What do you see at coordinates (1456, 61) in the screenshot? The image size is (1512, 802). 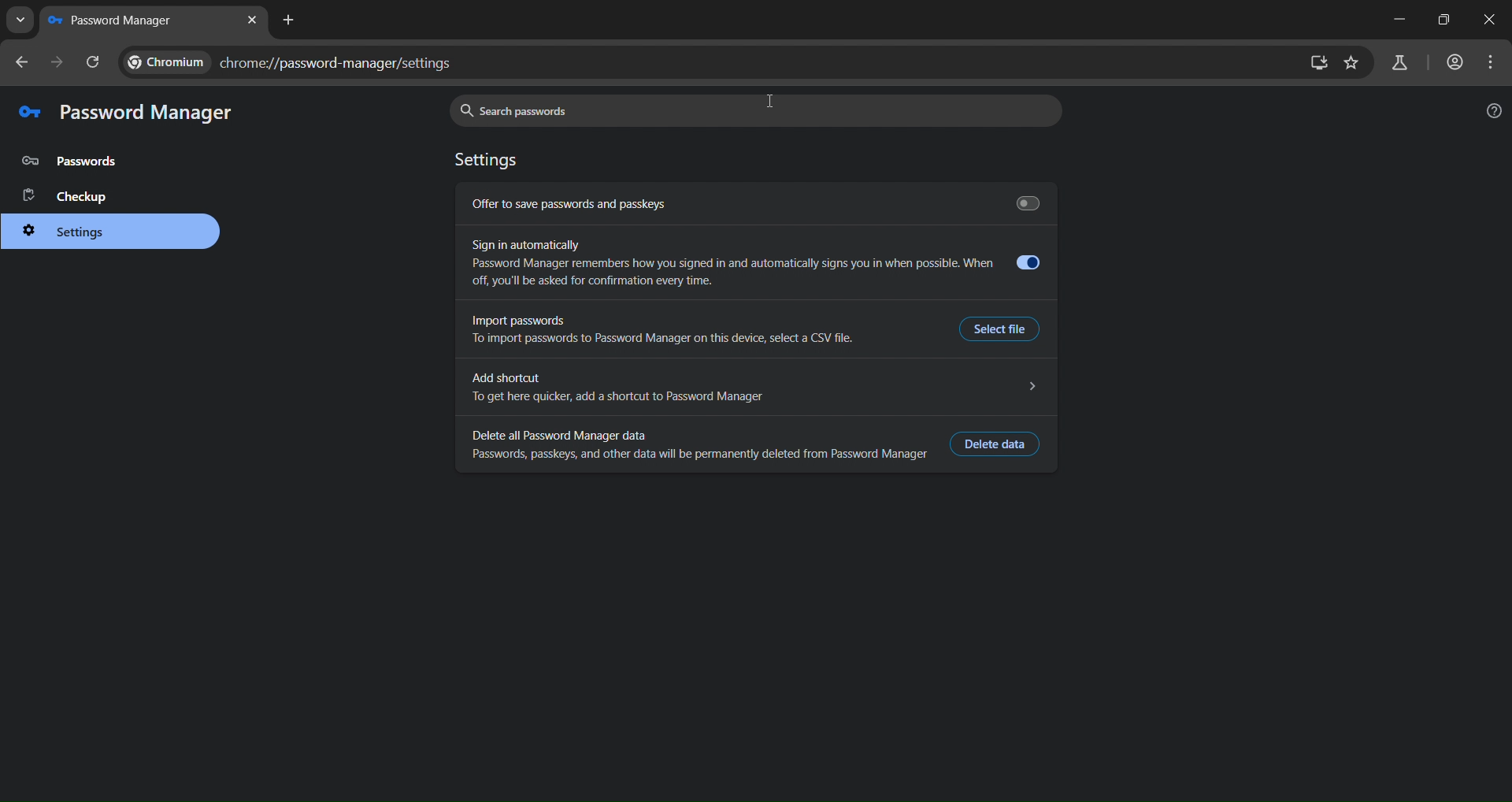 I see `accounts` at bounding box center [1456, 61].